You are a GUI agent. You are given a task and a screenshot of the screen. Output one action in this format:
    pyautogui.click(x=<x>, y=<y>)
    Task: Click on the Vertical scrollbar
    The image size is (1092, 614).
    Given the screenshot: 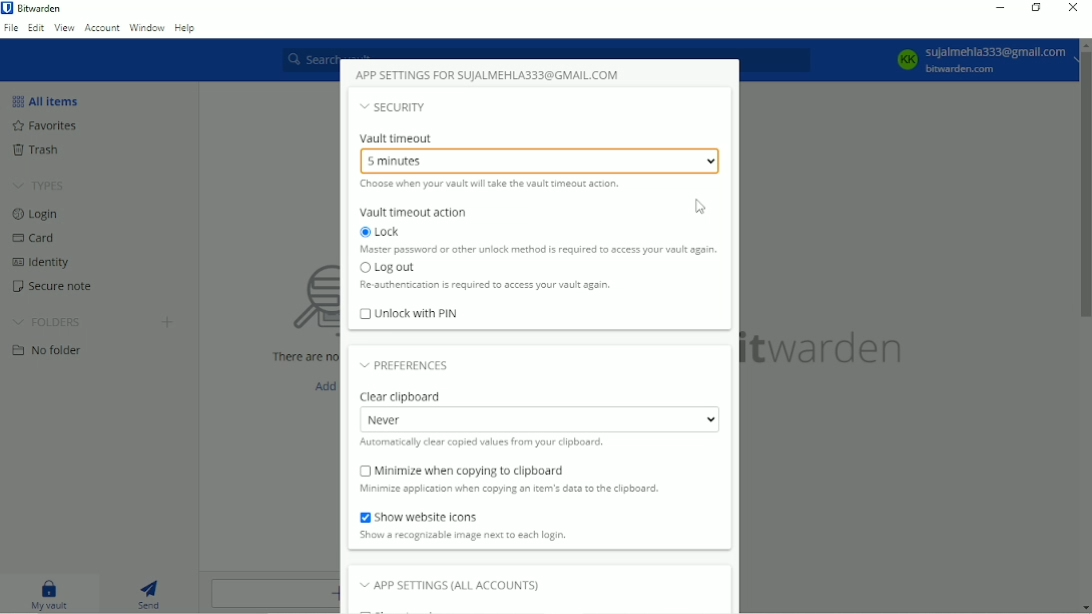 What is the action you would take?
    pyautogui.click(x=1085, y=185)
    